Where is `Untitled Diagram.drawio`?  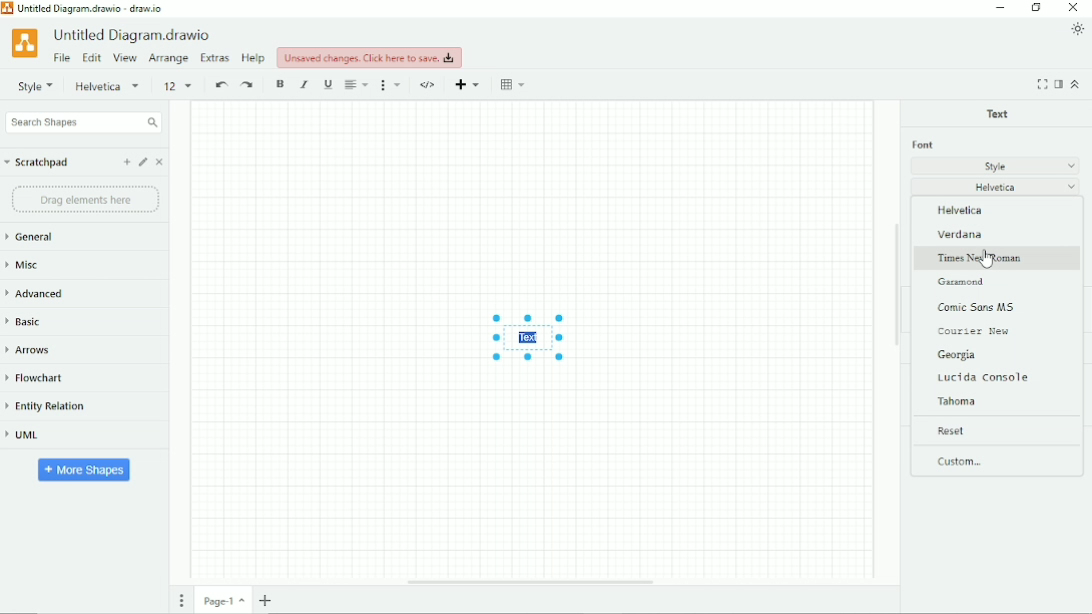
Untitled Diagram.drawio is located at coordinates (136, 35).